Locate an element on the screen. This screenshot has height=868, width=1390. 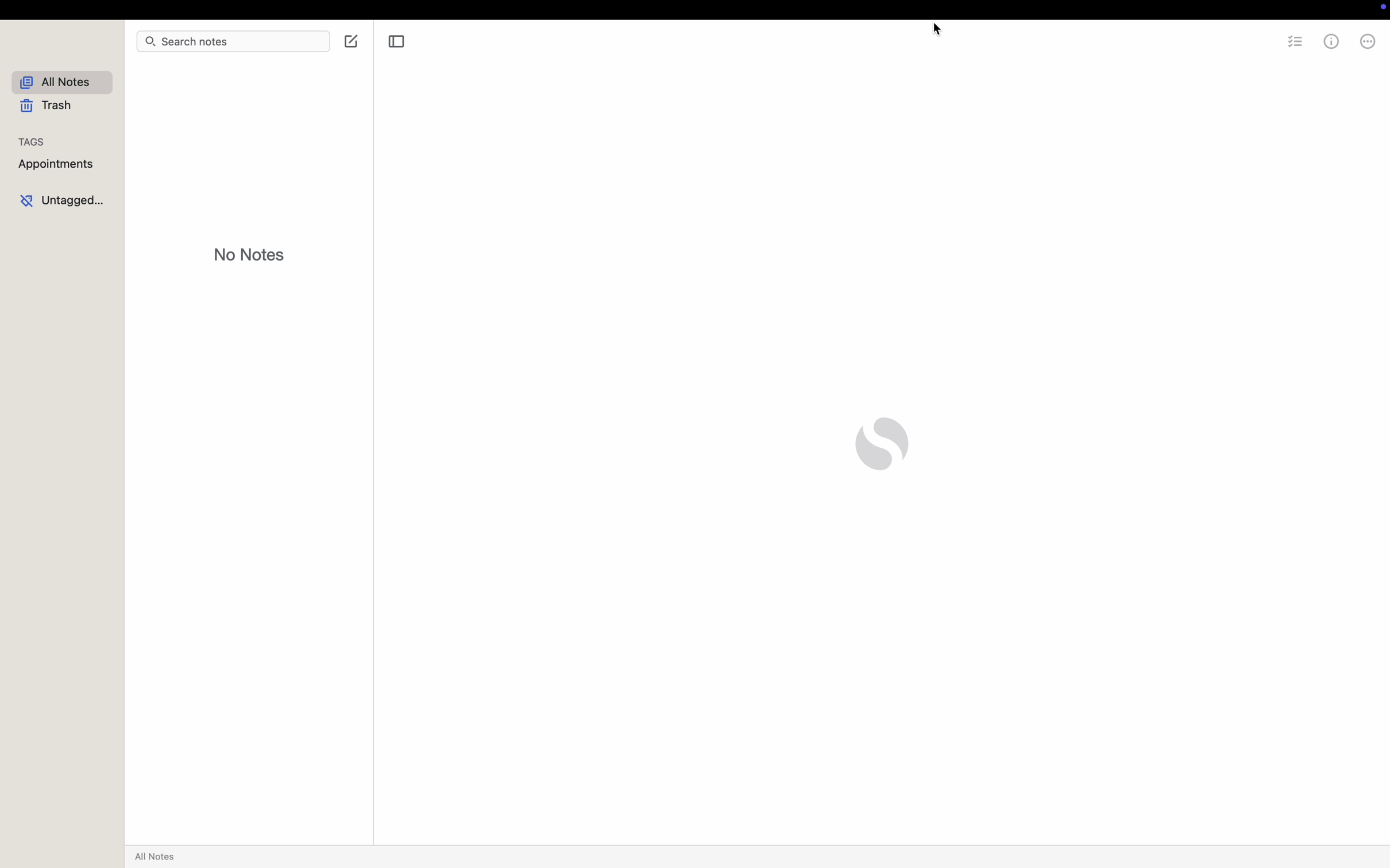
toggle sidebar is located at coordinates (398, 43).